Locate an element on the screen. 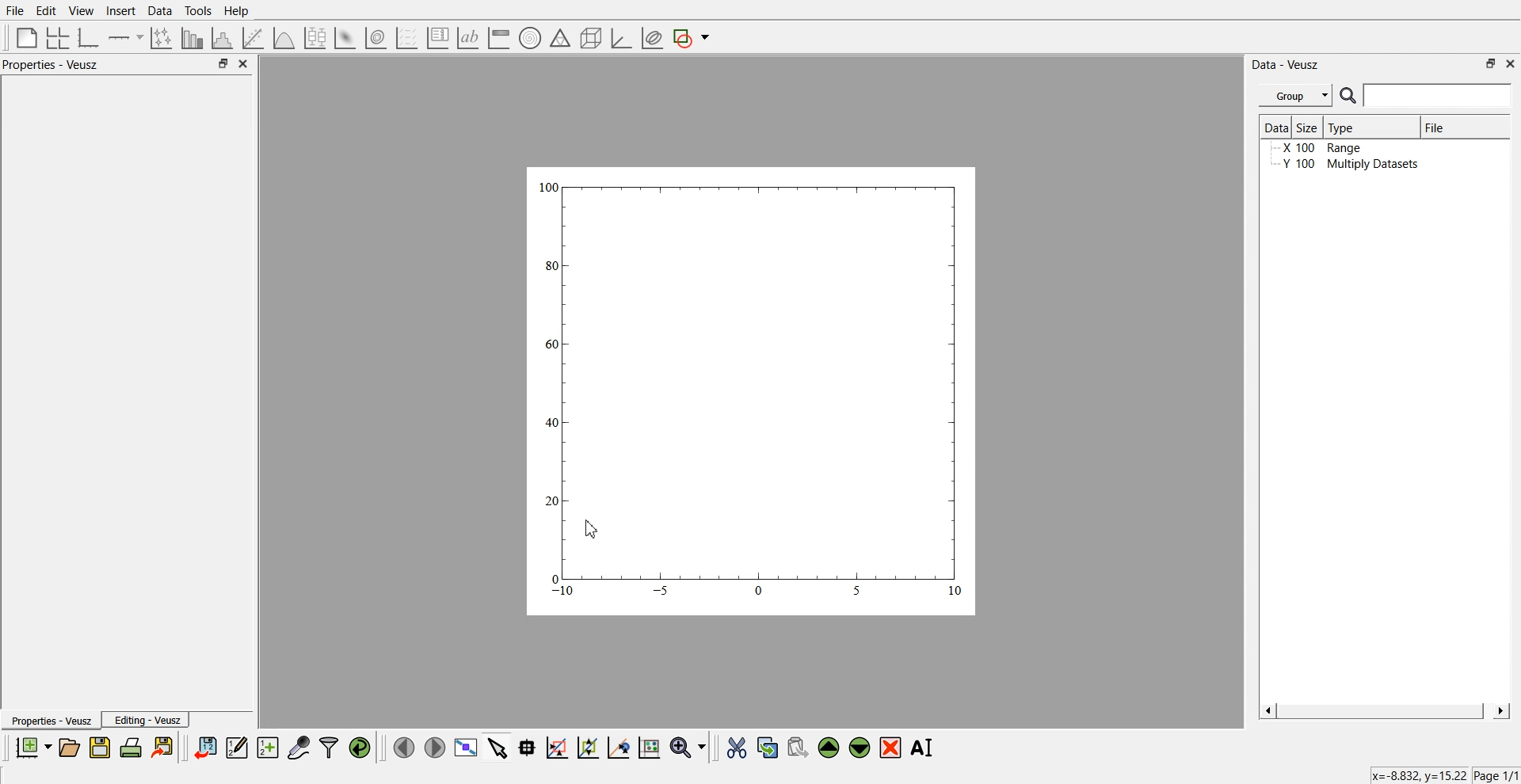 The image size is (1521, 784). zoom out the graph axes is located at coordinates (586, 747).